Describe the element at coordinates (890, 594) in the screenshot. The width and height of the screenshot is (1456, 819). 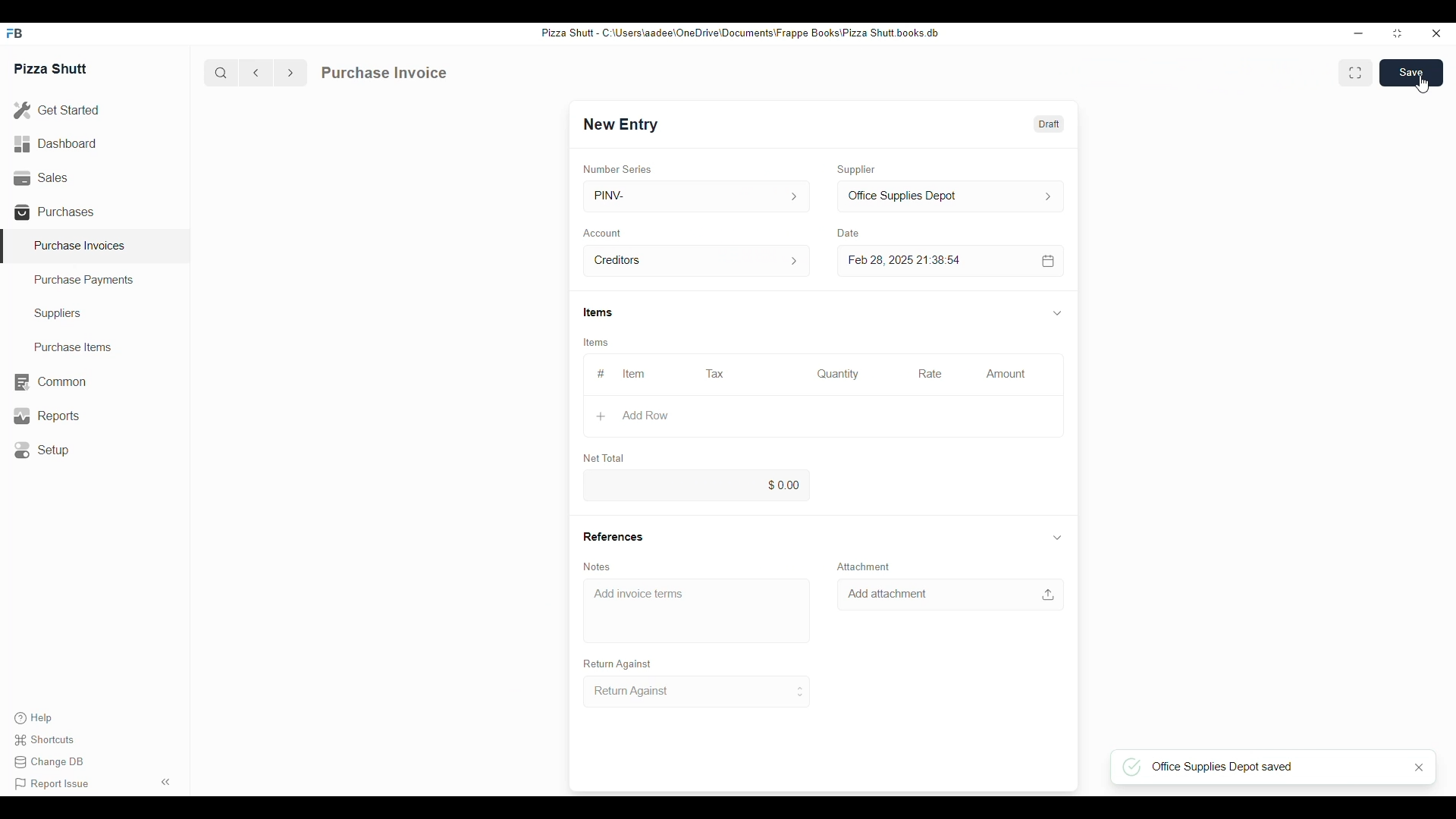
I see `Add attachment` at that location.